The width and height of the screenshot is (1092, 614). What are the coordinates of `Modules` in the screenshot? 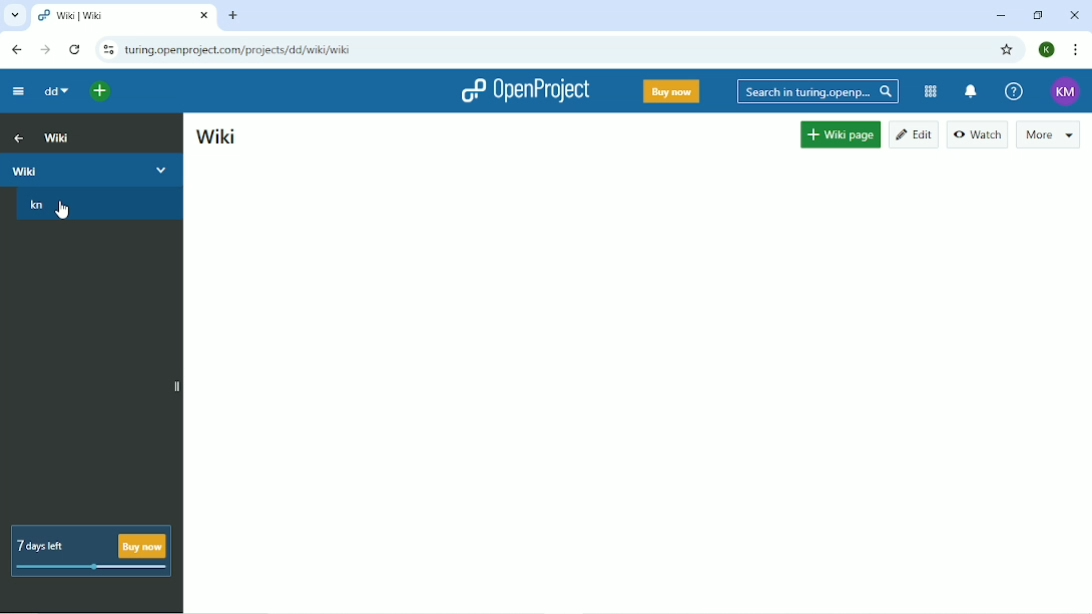 It's located at (930, 91).